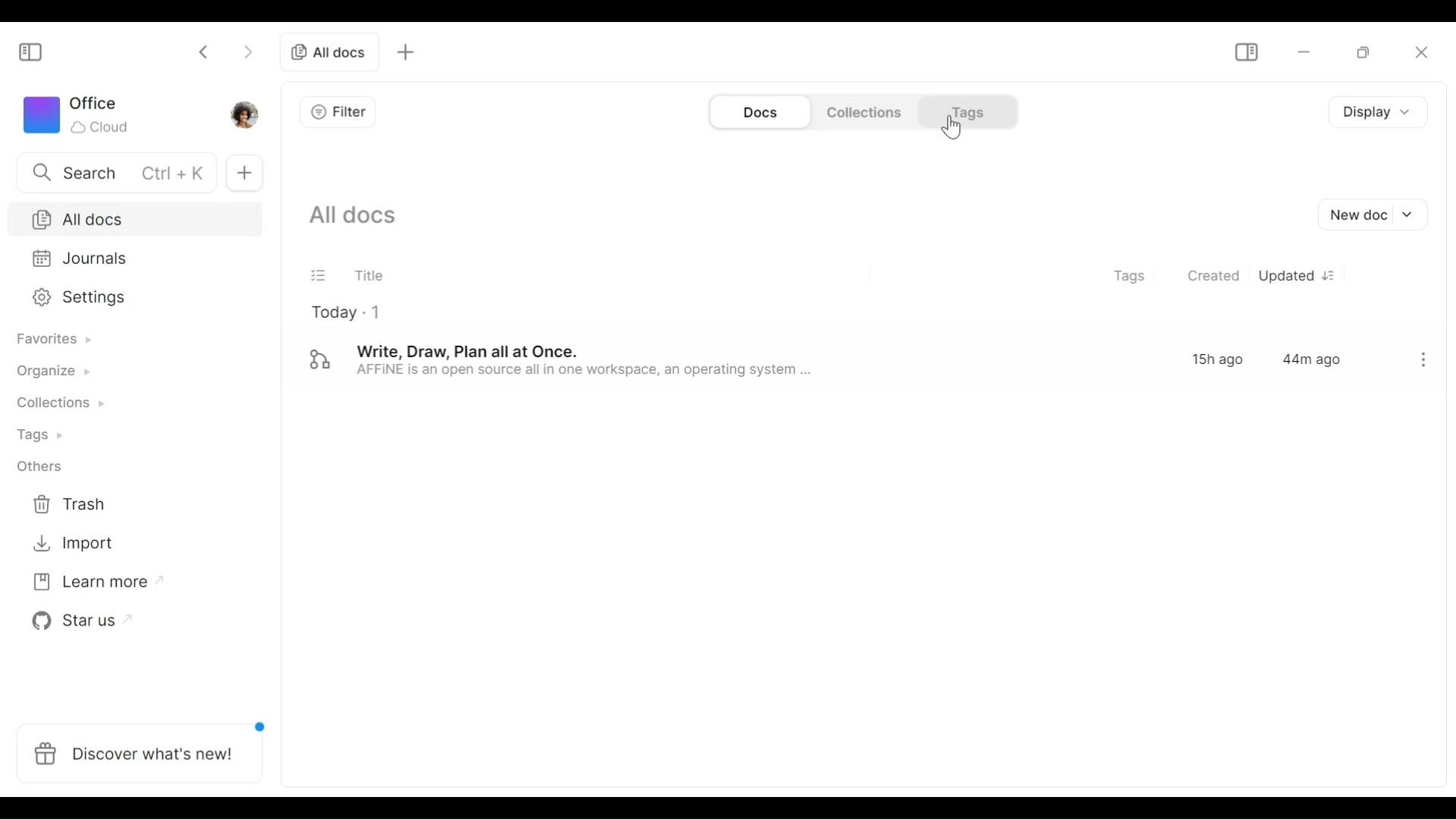  I want to click on Write, Draw, Plan all at Once, so click(589, 362).